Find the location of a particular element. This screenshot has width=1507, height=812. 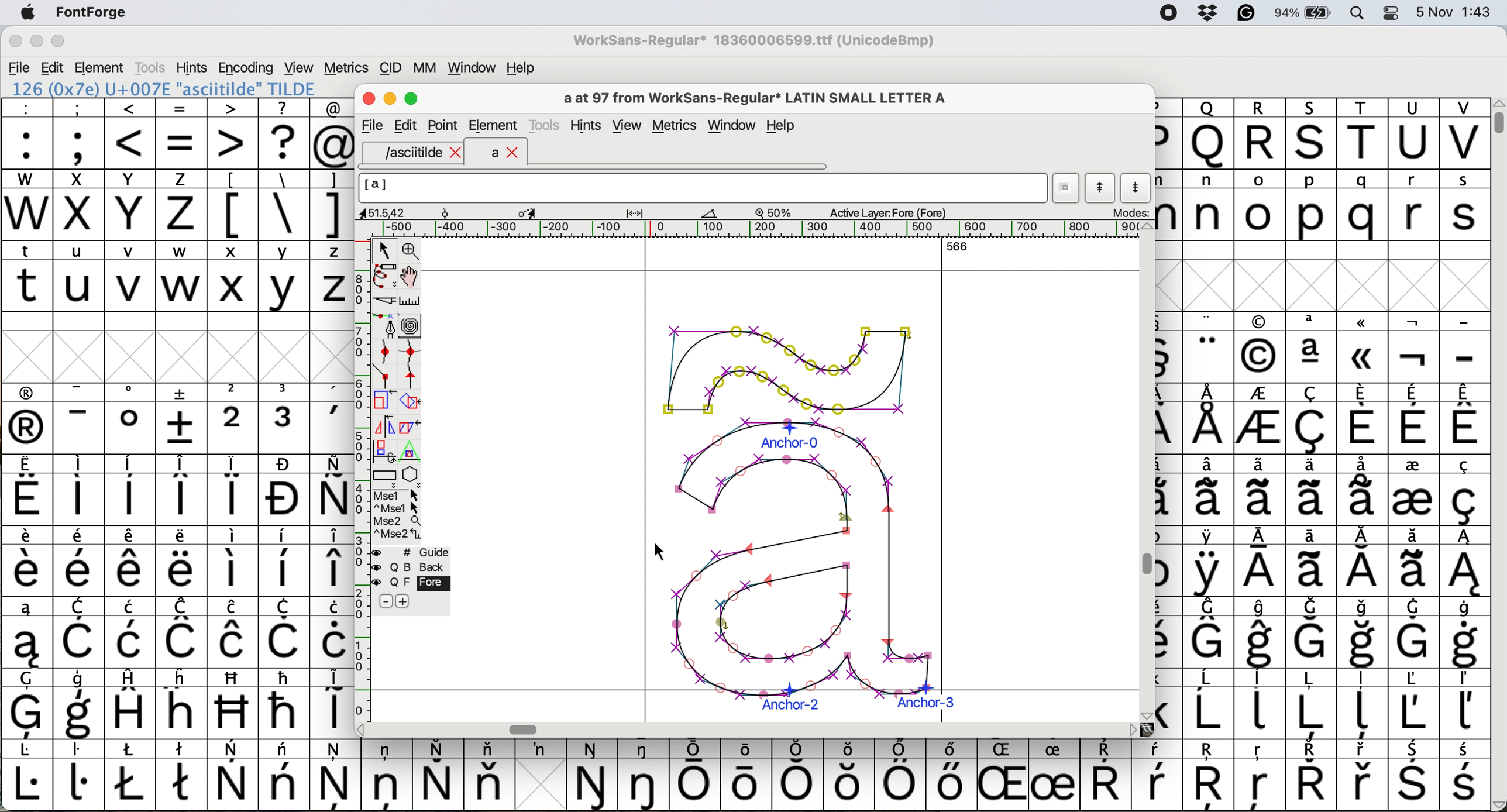

dropbox is located at coordinates (1204, 13).